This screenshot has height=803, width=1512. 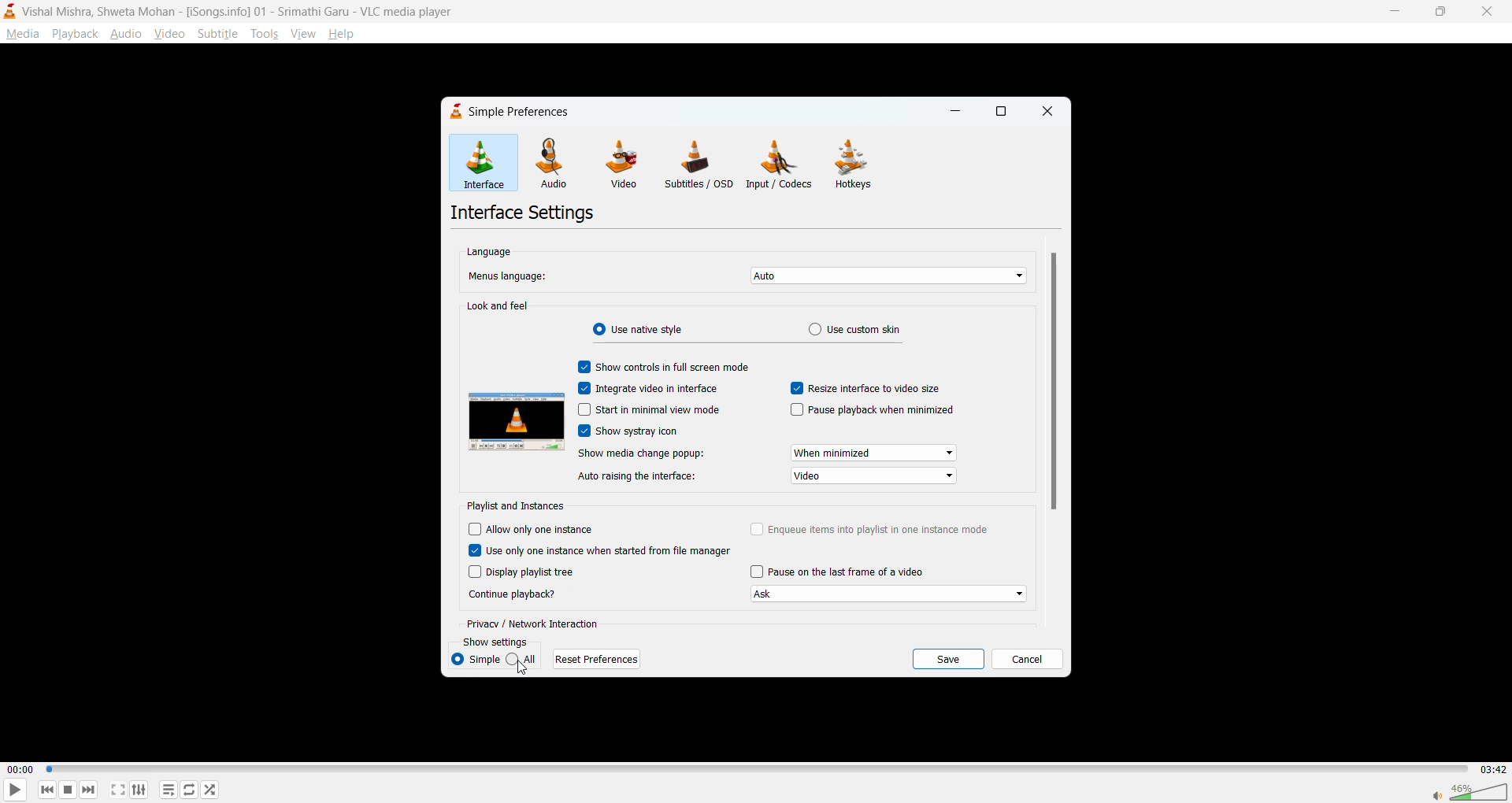 I want to click on pause playback when minimized, so click(x=876, y=411).